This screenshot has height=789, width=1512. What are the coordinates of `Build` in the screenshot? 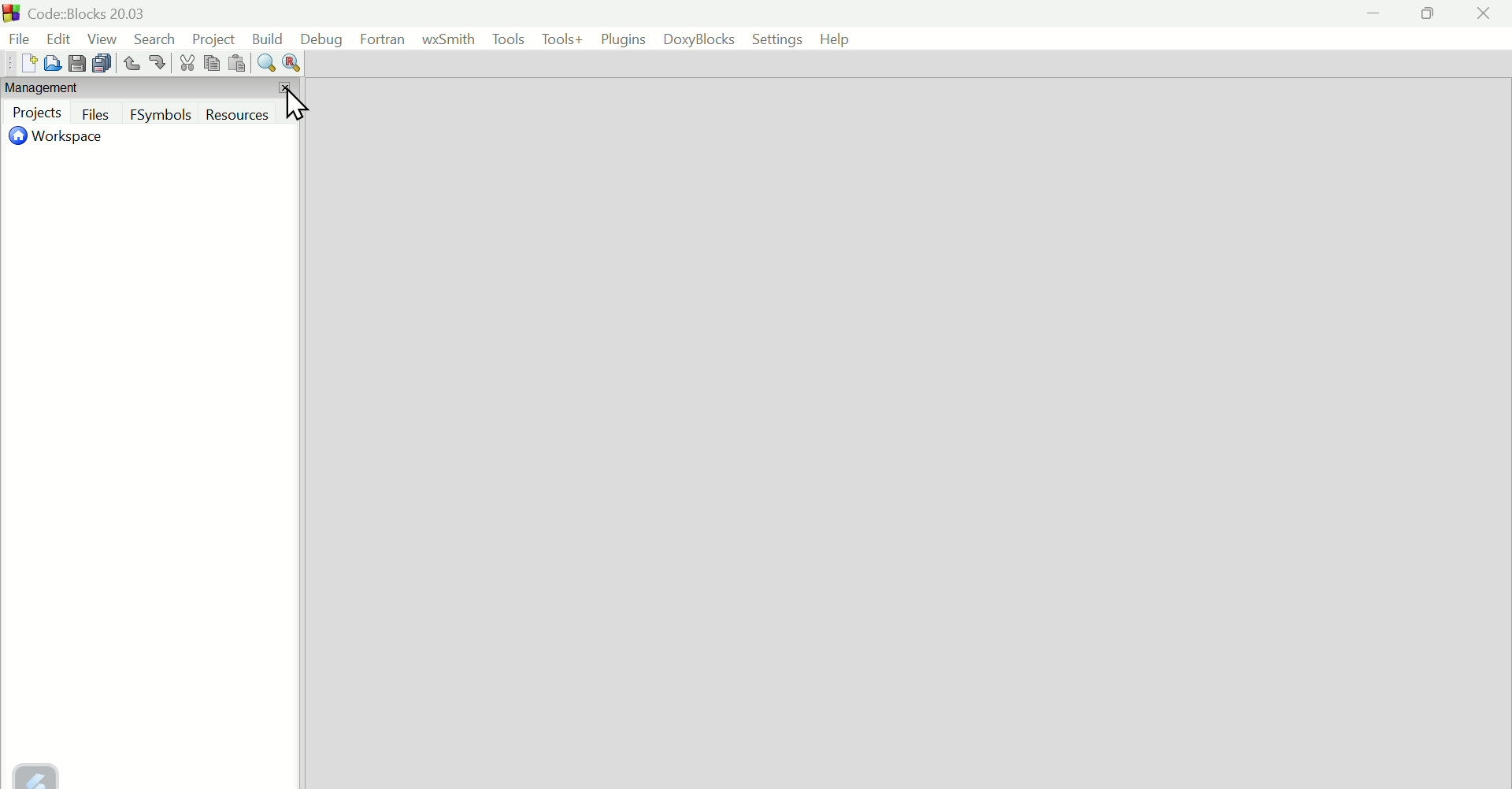 It's located at (267, 39).